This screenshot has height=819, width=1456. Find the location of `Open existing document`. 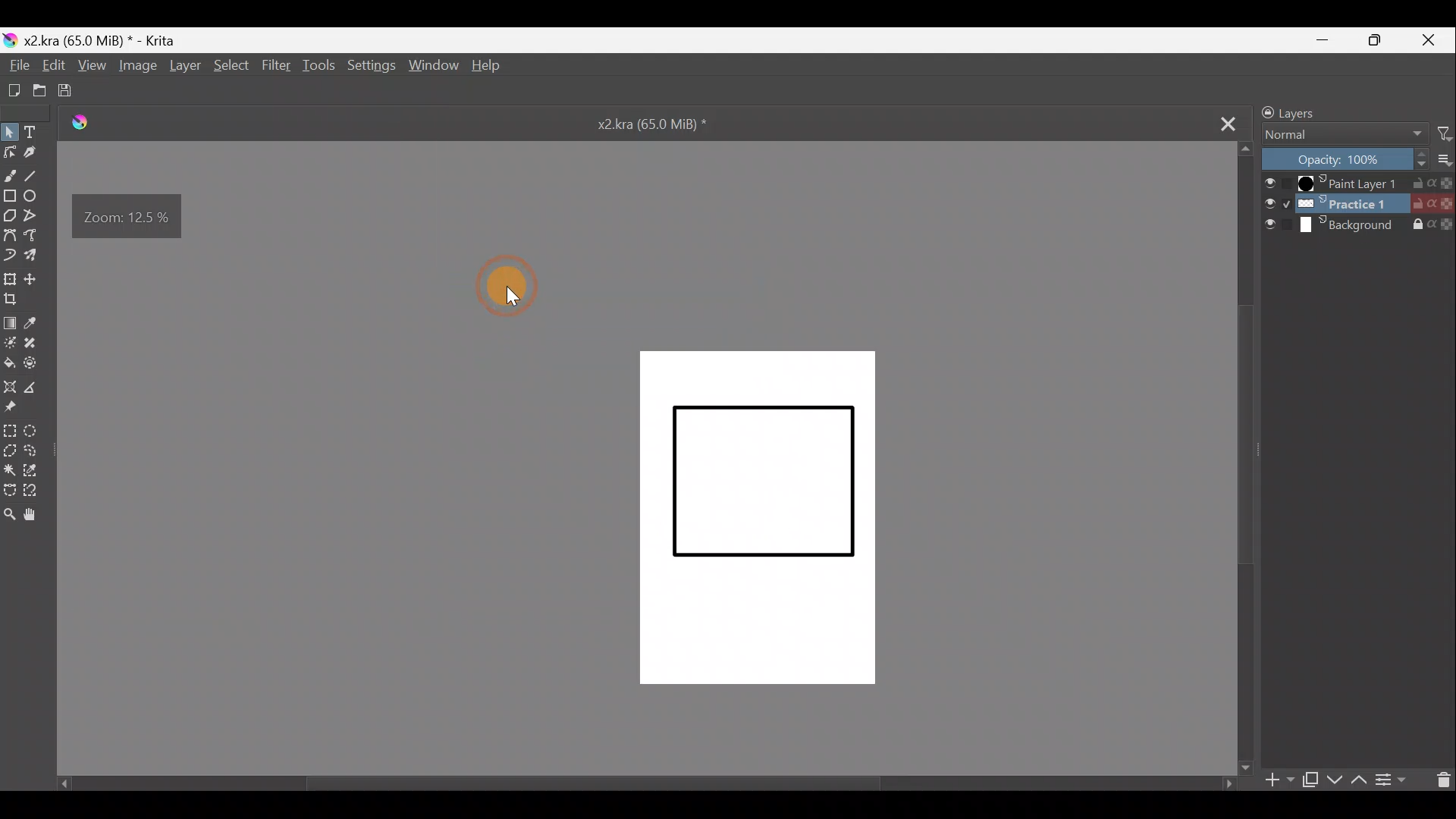

Open existing document is located at coordinates (42, 86).